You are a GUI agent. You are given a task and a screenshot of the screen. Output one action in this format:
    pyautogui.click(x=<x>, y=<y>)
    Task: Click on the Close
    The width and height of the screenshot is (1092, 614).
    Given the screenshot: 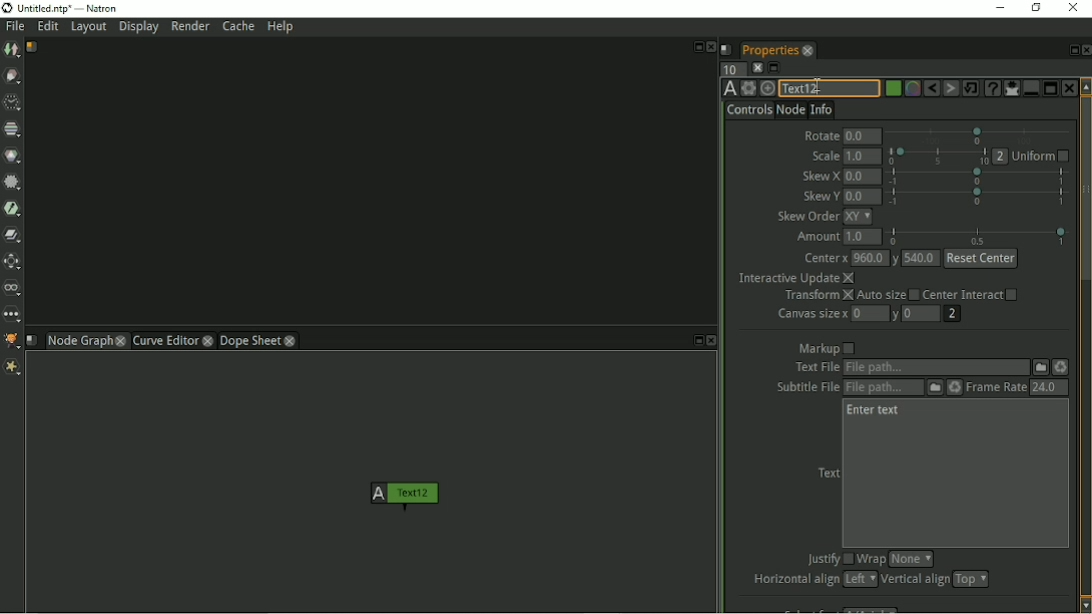 What is the action you would take?
    pyautogui.click(x=1068, y=88)
    